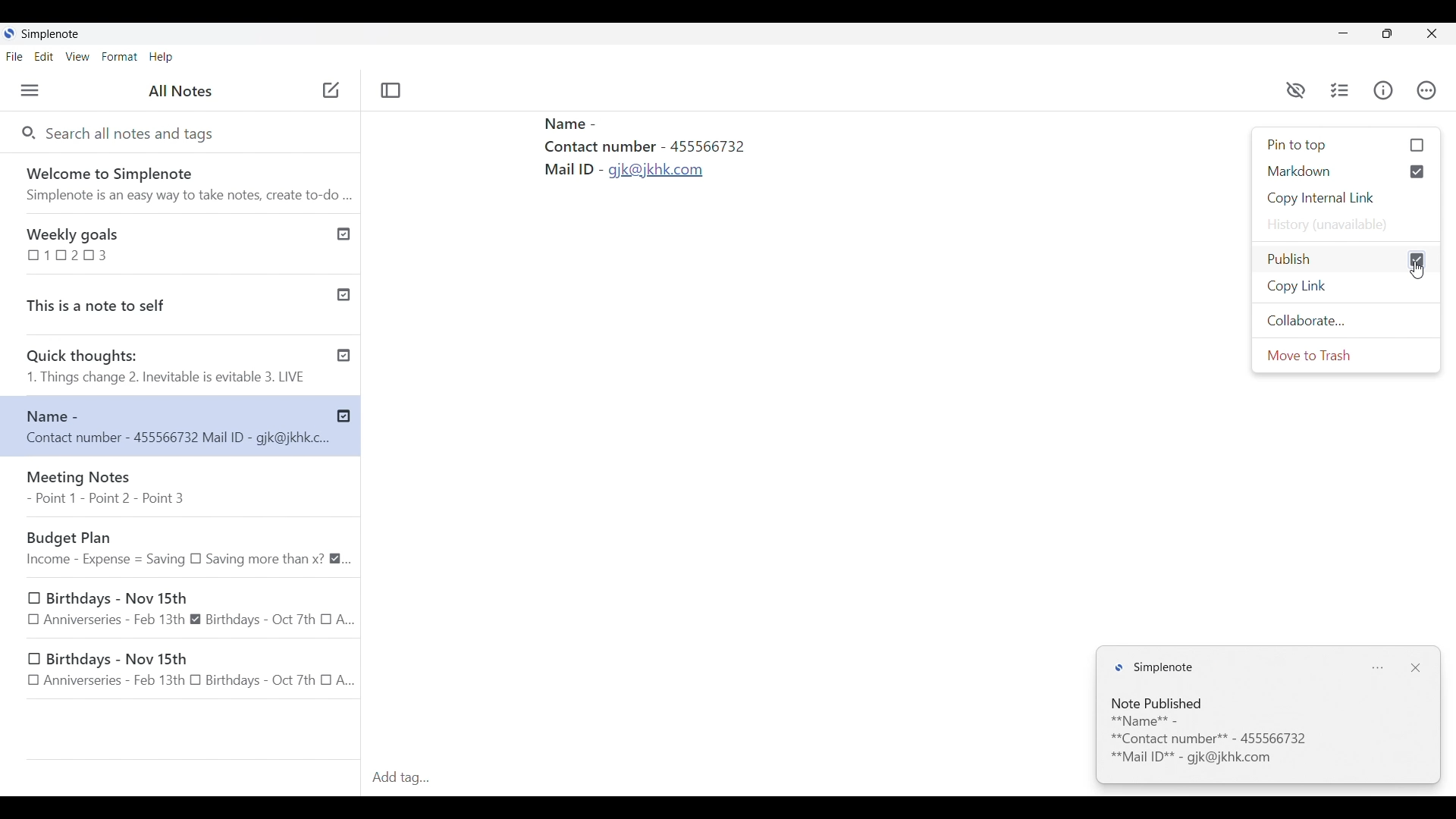 Image resolution: width=1456 pixels, height=819 pixels. What do you see at coordinates (184, 671) in the screenshot?
I see `Birthdays - Nov 15th` at bounding box center [184, 671].